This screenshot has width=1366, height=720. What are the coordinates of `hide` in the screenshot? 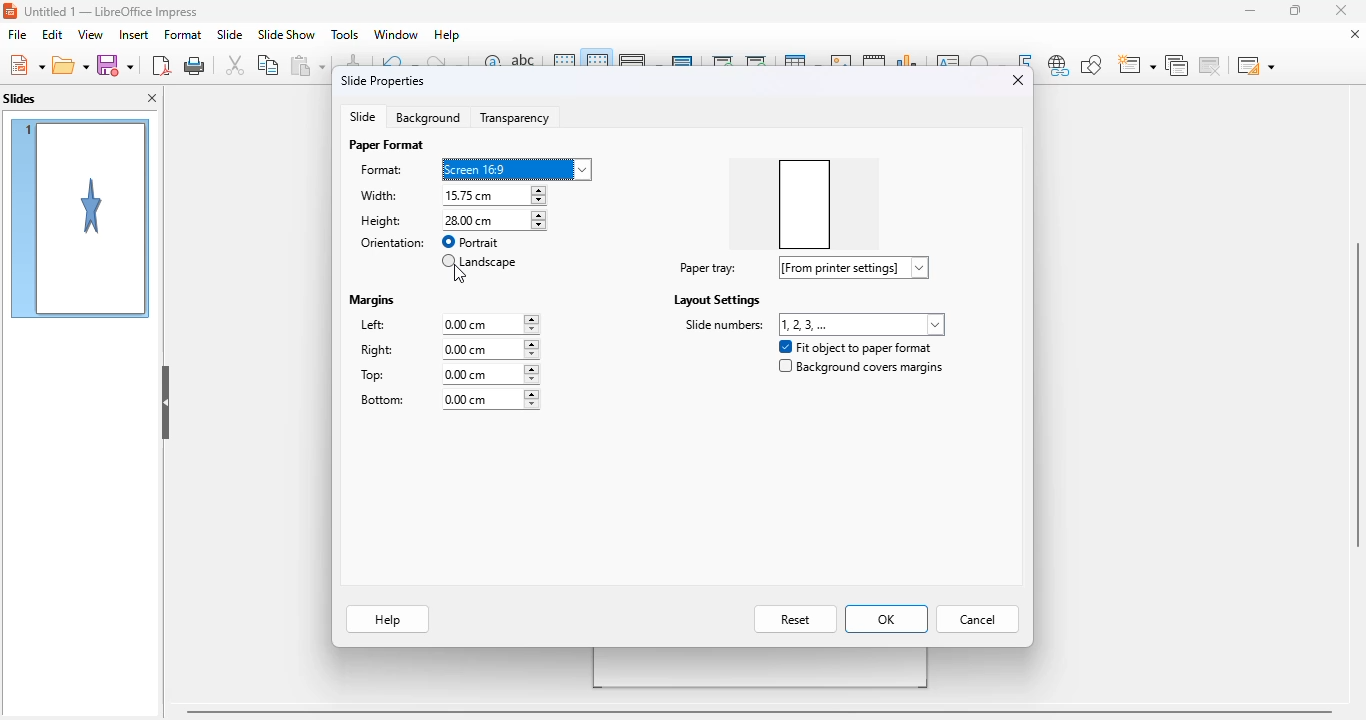 It's located at (165, 401).